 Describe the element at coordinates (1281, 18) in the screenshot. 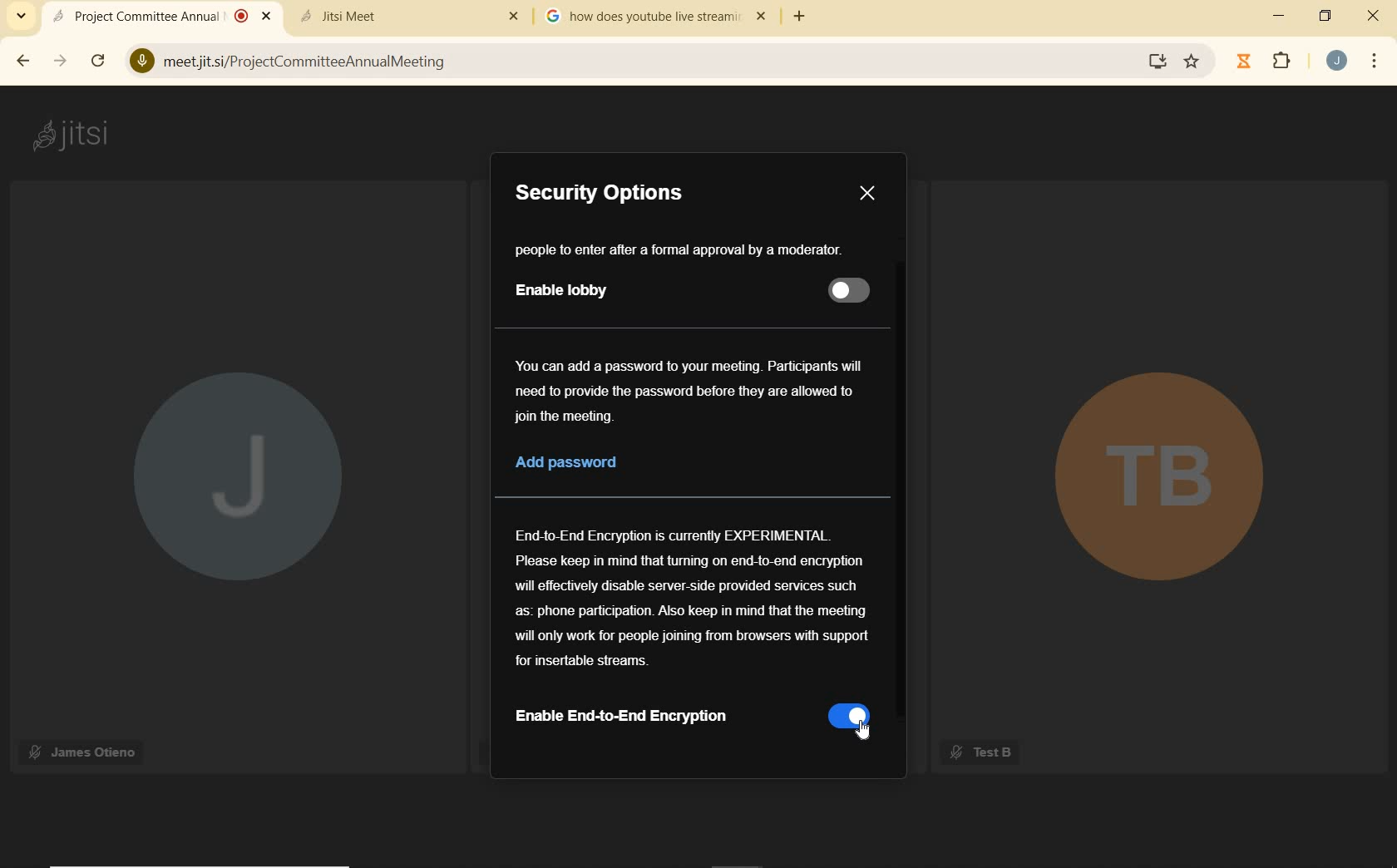

I see `MINIMIZE` at that location.